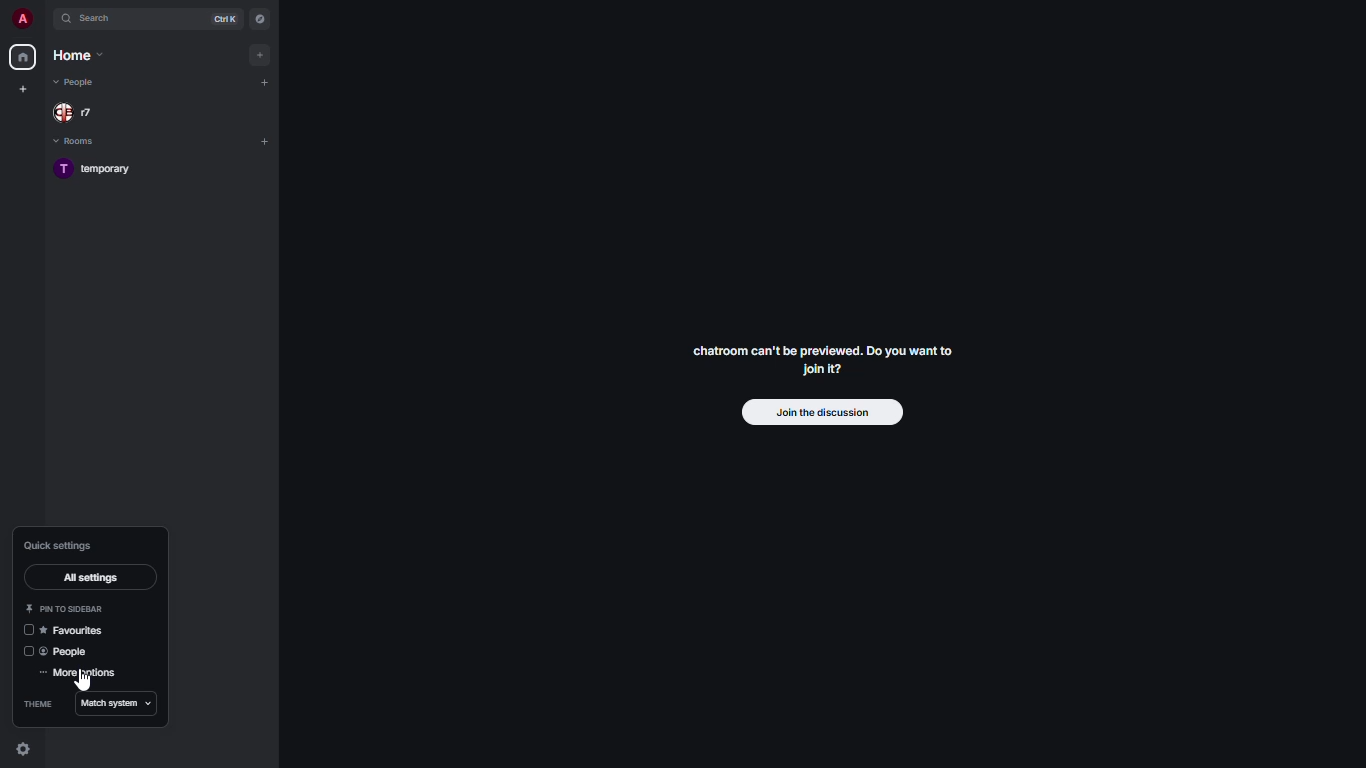  What do you see at coordinates (59, 544) in the screenshot?
I see `quick settings` at bounding box center [59, 544].